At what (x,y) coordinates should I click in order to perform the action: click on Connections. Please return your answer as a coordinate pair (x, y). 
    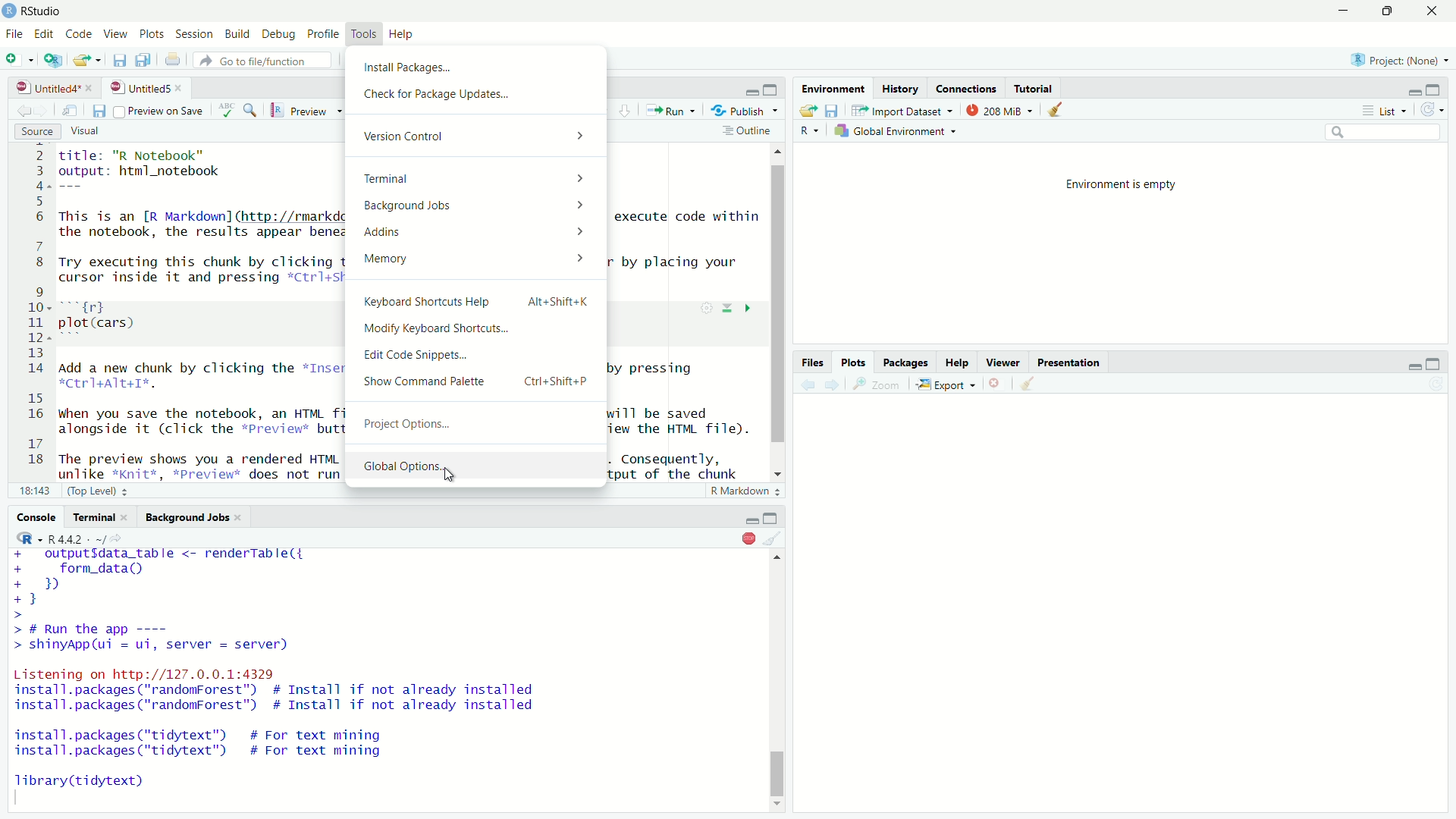
    Looking at the image, I should click on (966, 88).